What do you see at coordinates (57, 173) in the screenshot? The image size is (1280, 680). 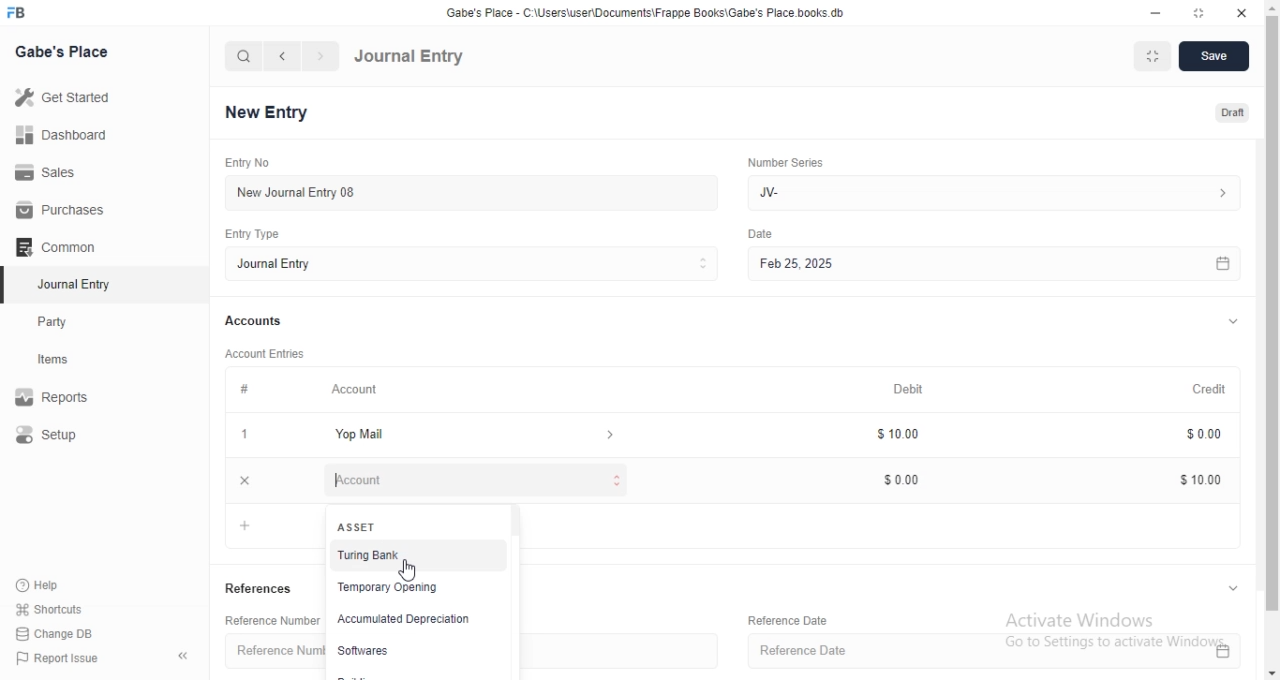 I see `Sales` at bounding box center [57, 173].